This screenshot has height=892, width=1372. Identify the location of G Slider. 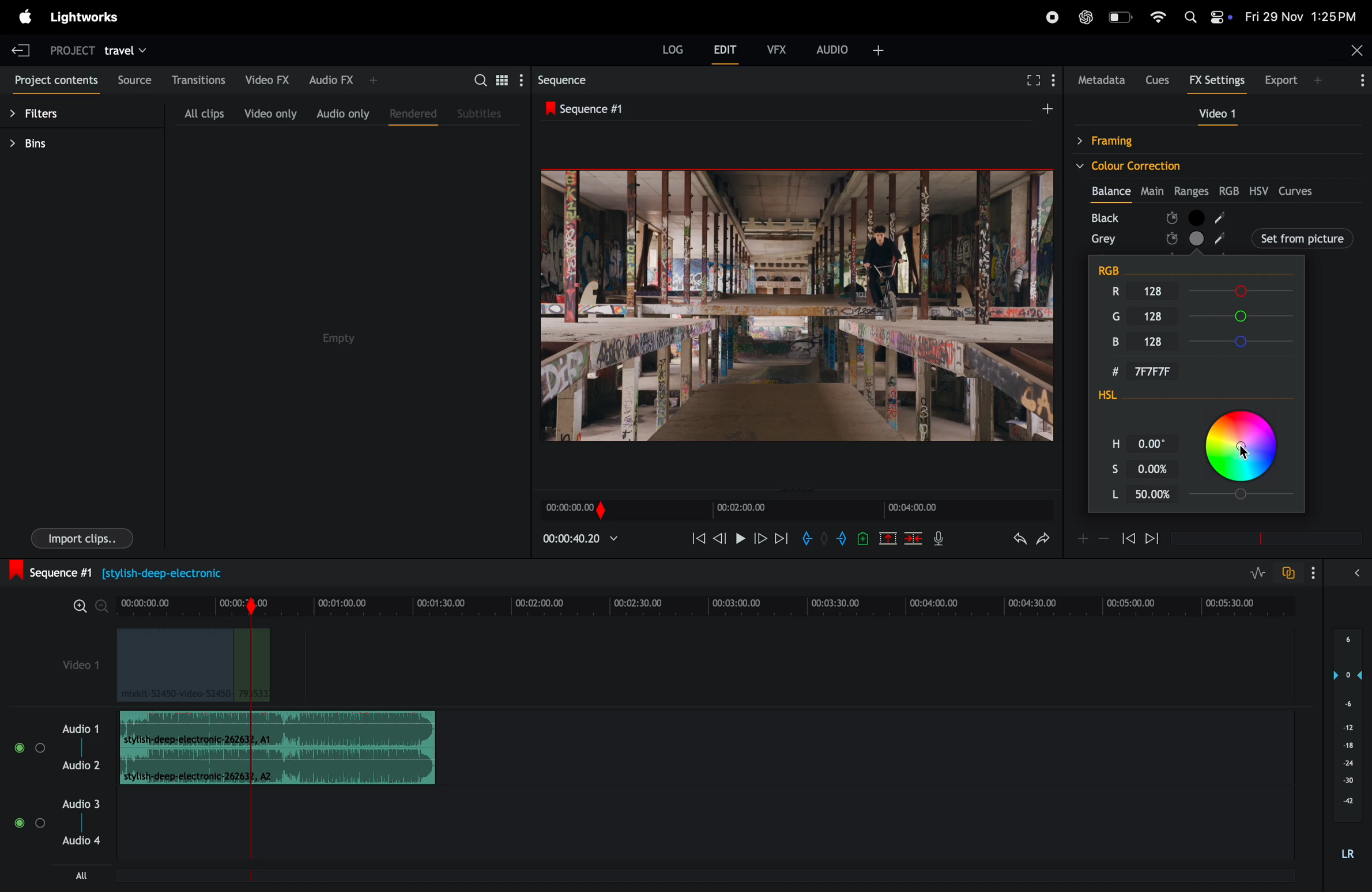
(1245, 316).